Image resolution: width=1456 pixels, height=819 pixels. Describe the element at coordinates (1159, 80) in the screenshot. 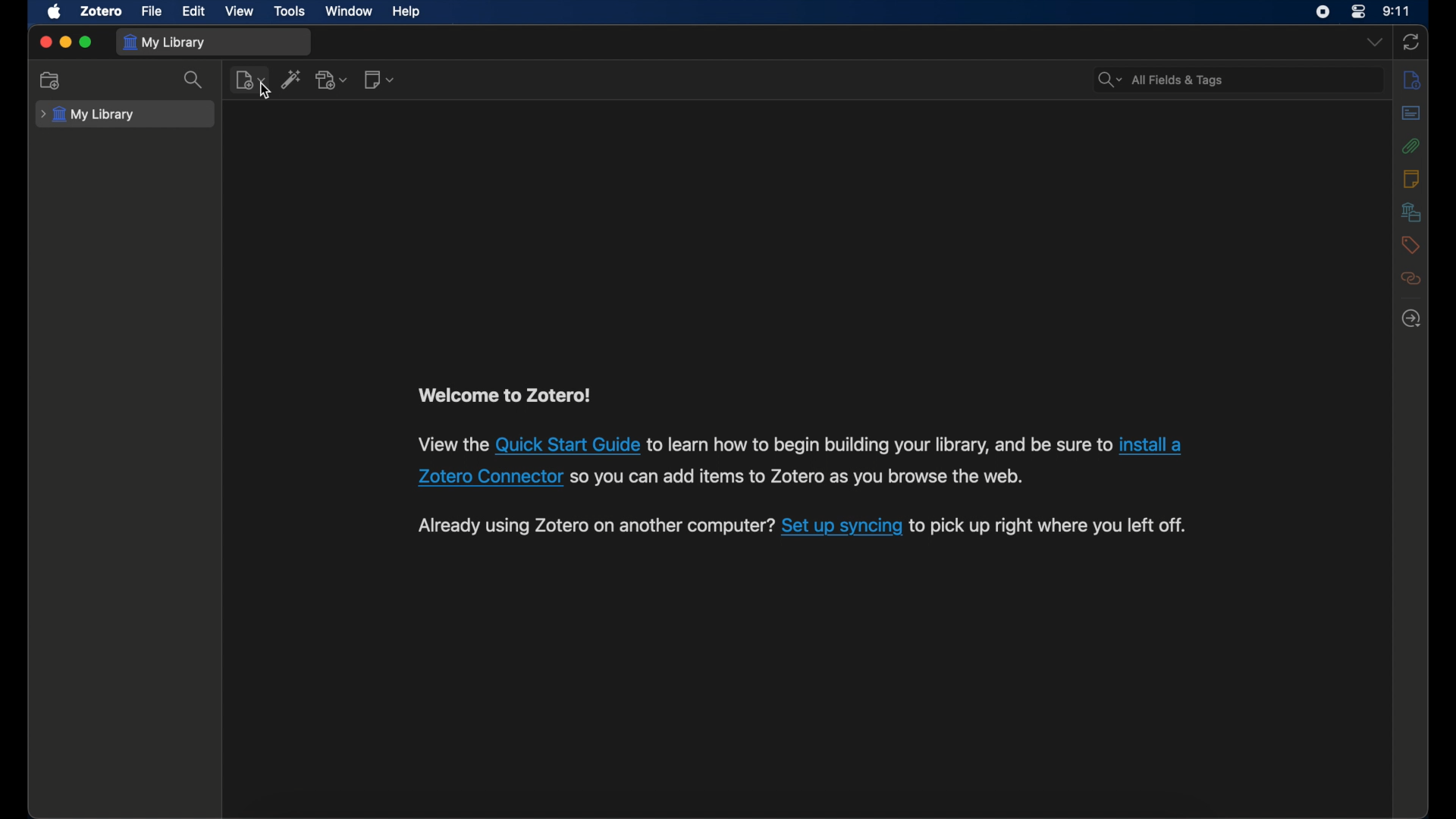

I see `search` at that location.